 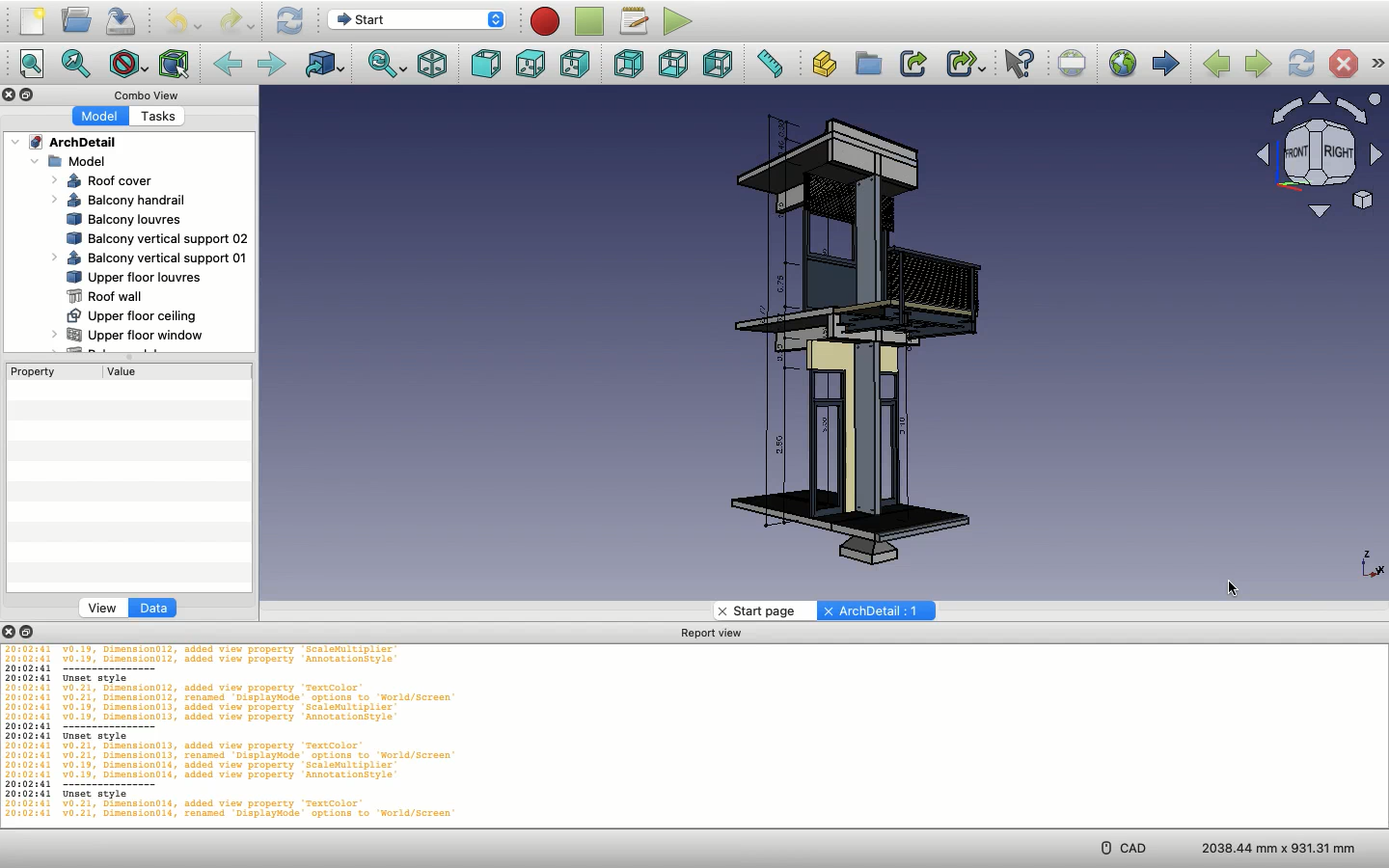 What do you see at coordinates (106, 296) in the screenshot?
I see `Roof wall` at bounding box center [106, 296].